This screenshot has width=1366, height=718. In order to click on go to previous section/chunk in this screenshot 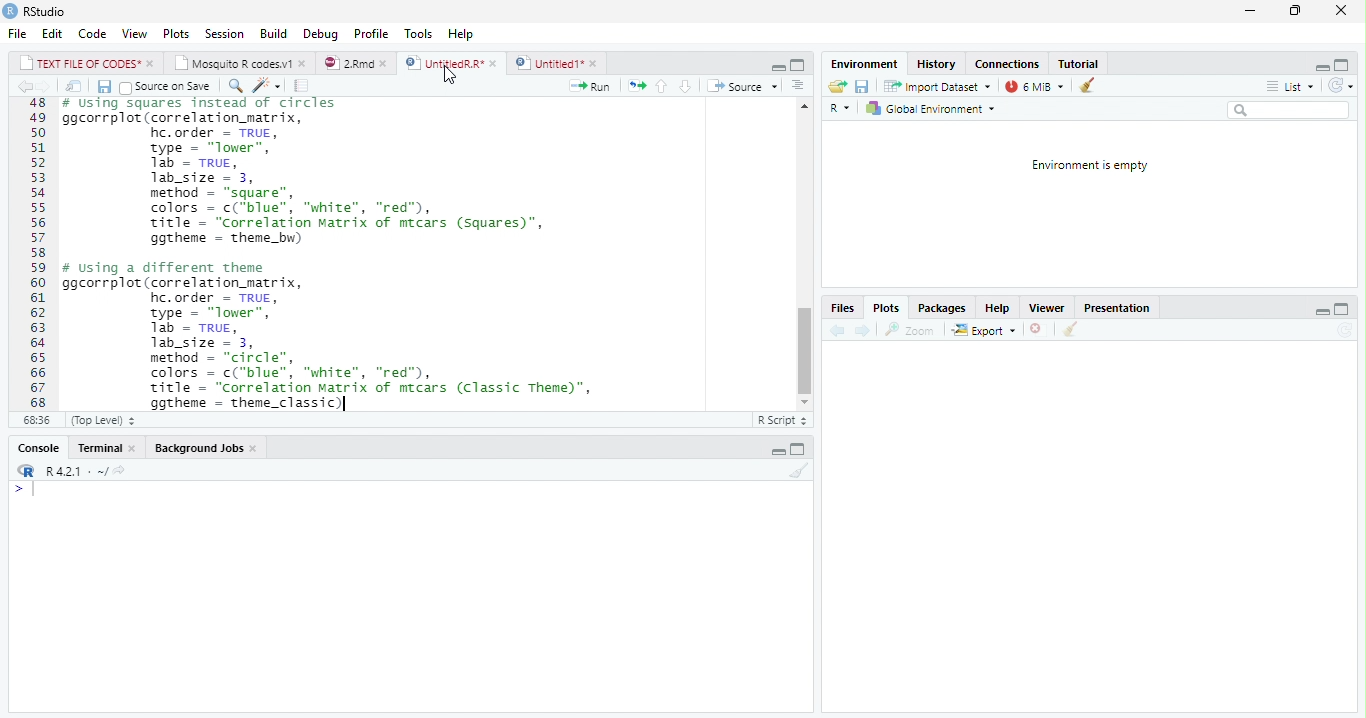, I will do `click(661, 86)`.